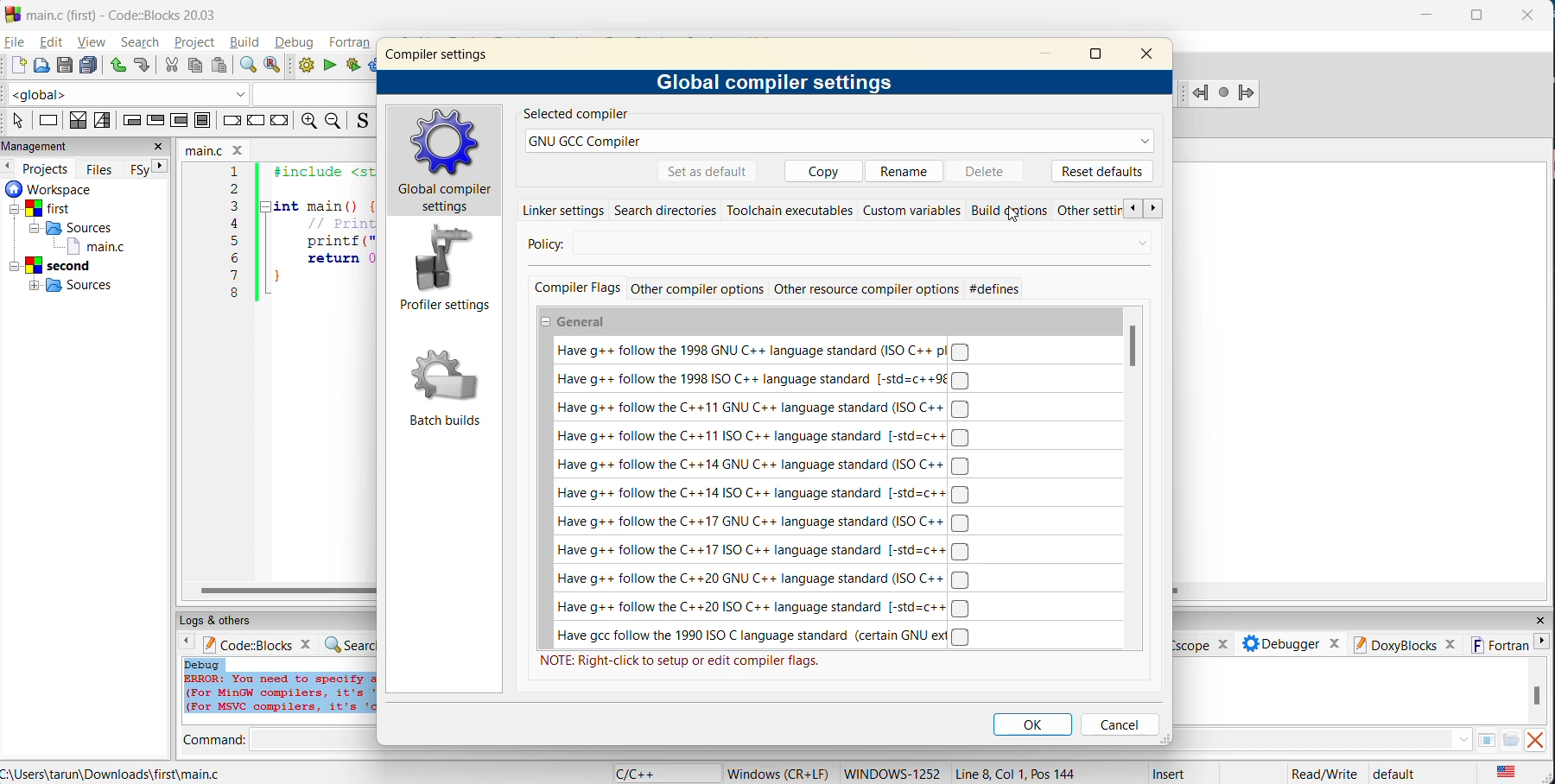  I want to click on Have g++ follow the C++111SO C++ language standard [-std=c++, so click(767, 437).